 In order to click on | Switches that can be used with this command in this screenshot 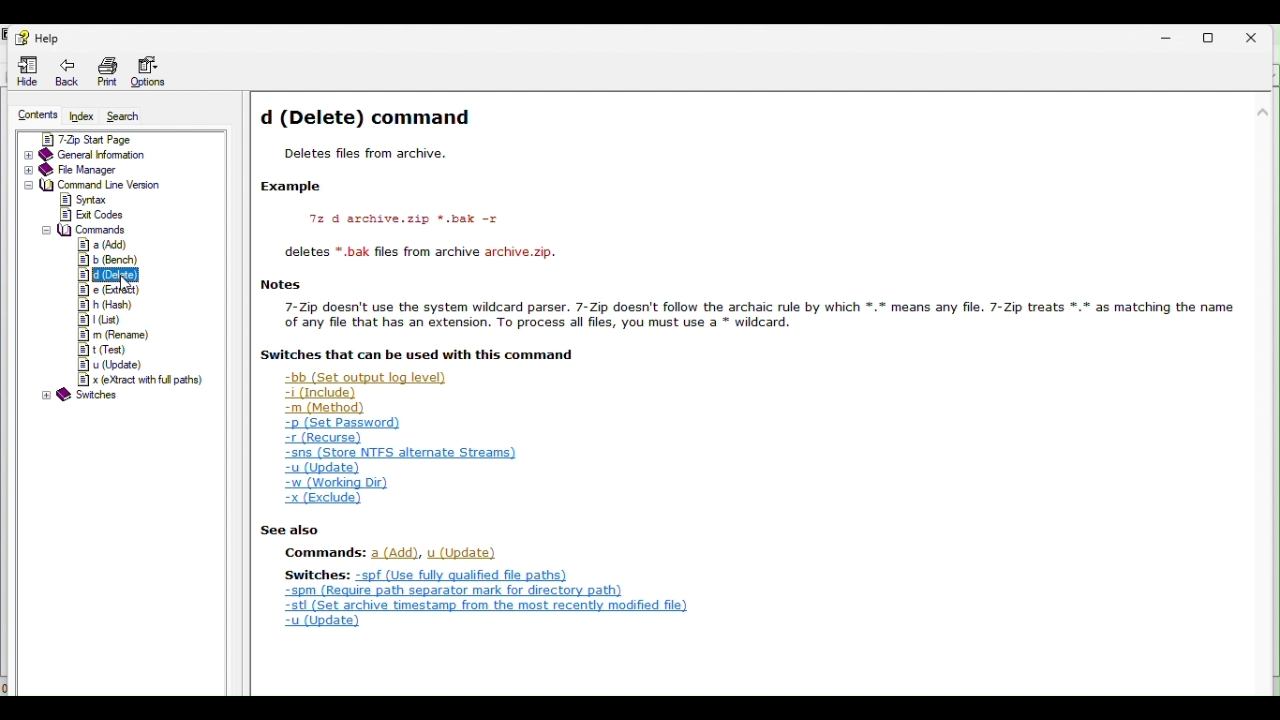, I will do `click(407, 353)`.